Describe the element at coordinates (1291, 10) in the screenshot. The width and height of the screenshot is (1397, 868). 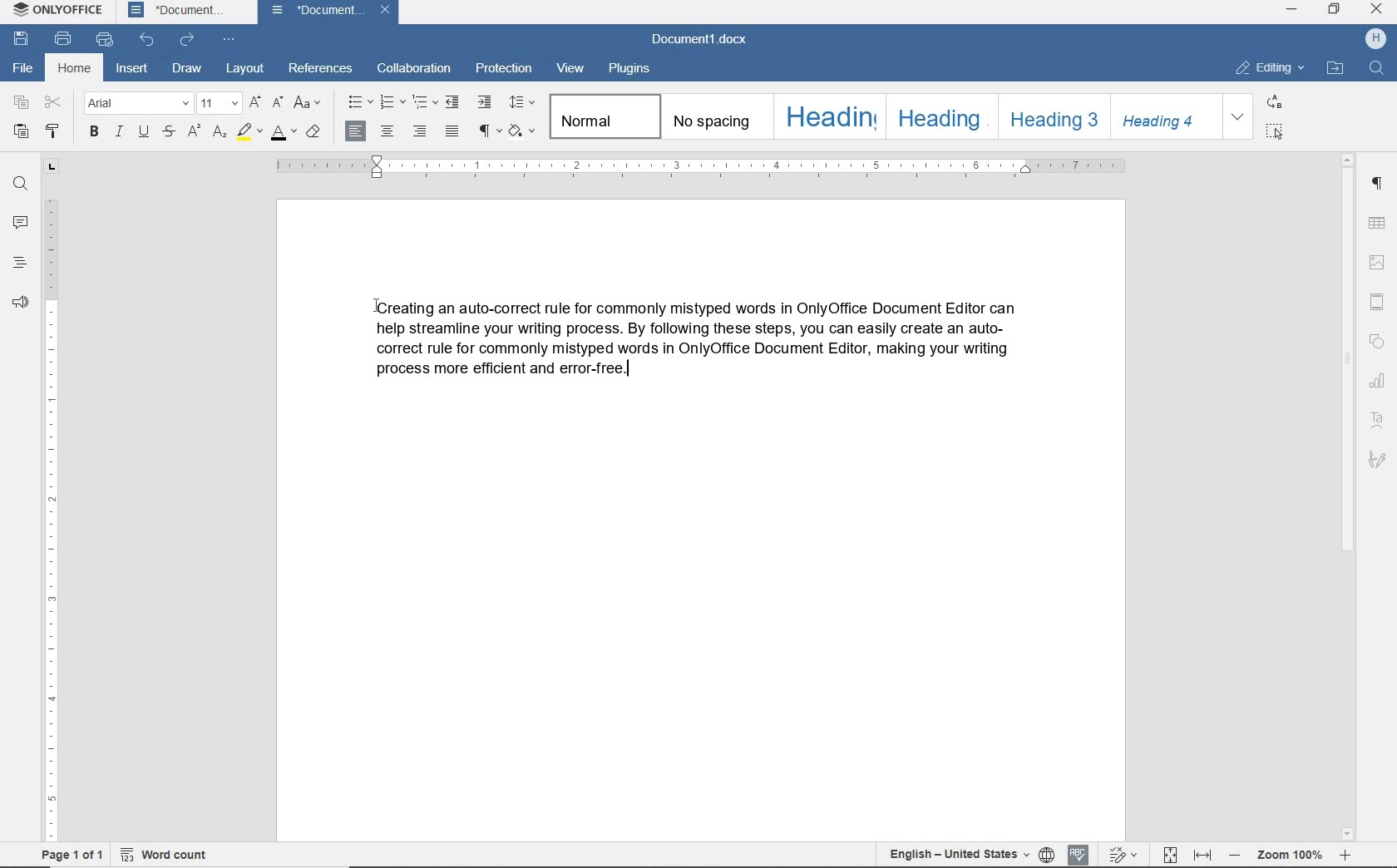
I see `minimize` at that location.